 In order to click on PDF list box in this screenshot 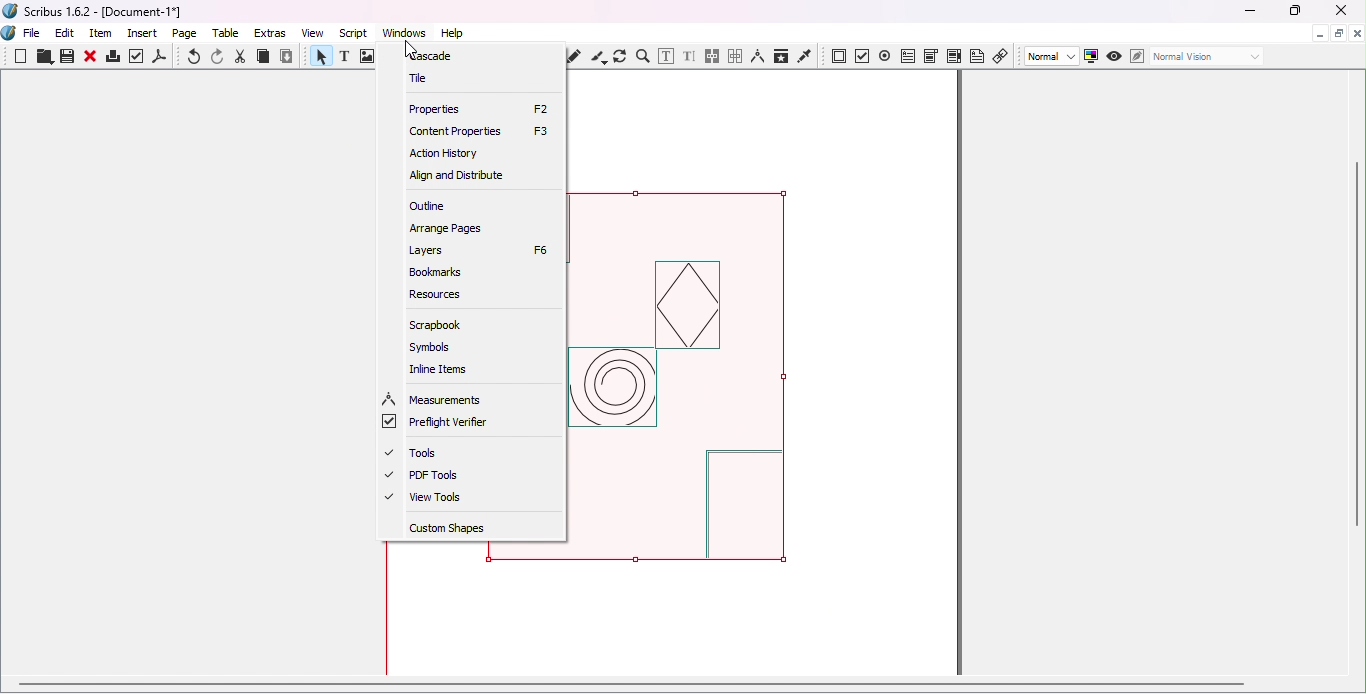, I will do `click(954, 56)`.